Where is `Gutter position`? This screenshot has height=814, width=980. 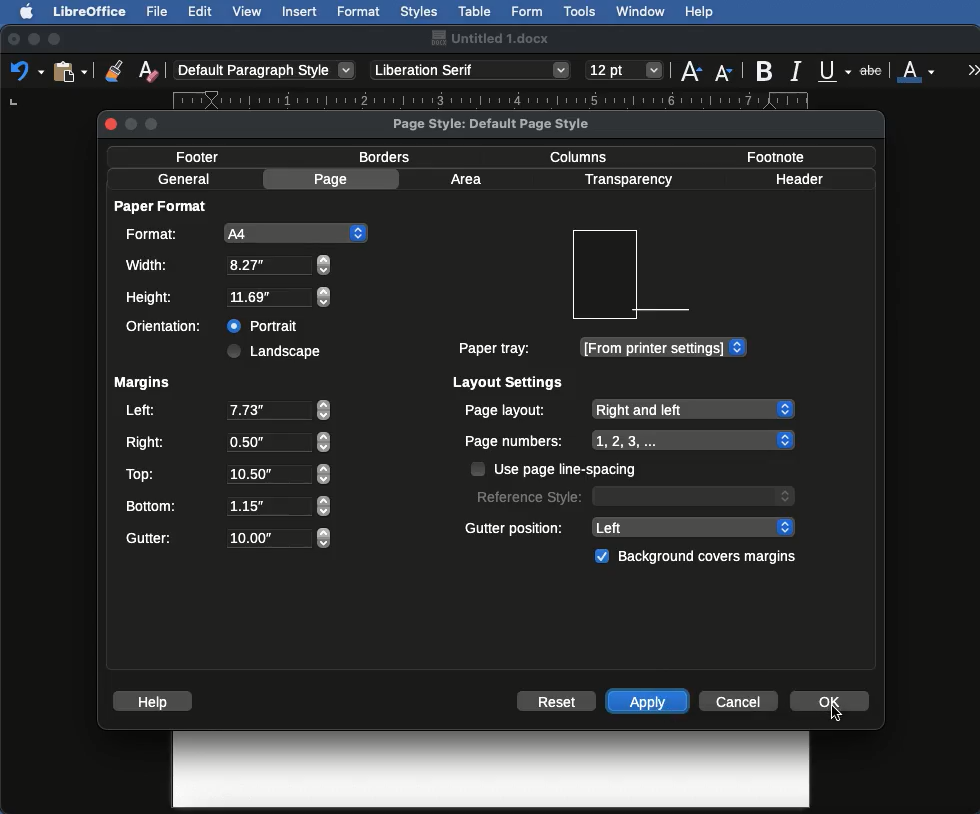
Gutter position is located at coordinates (631, 526).